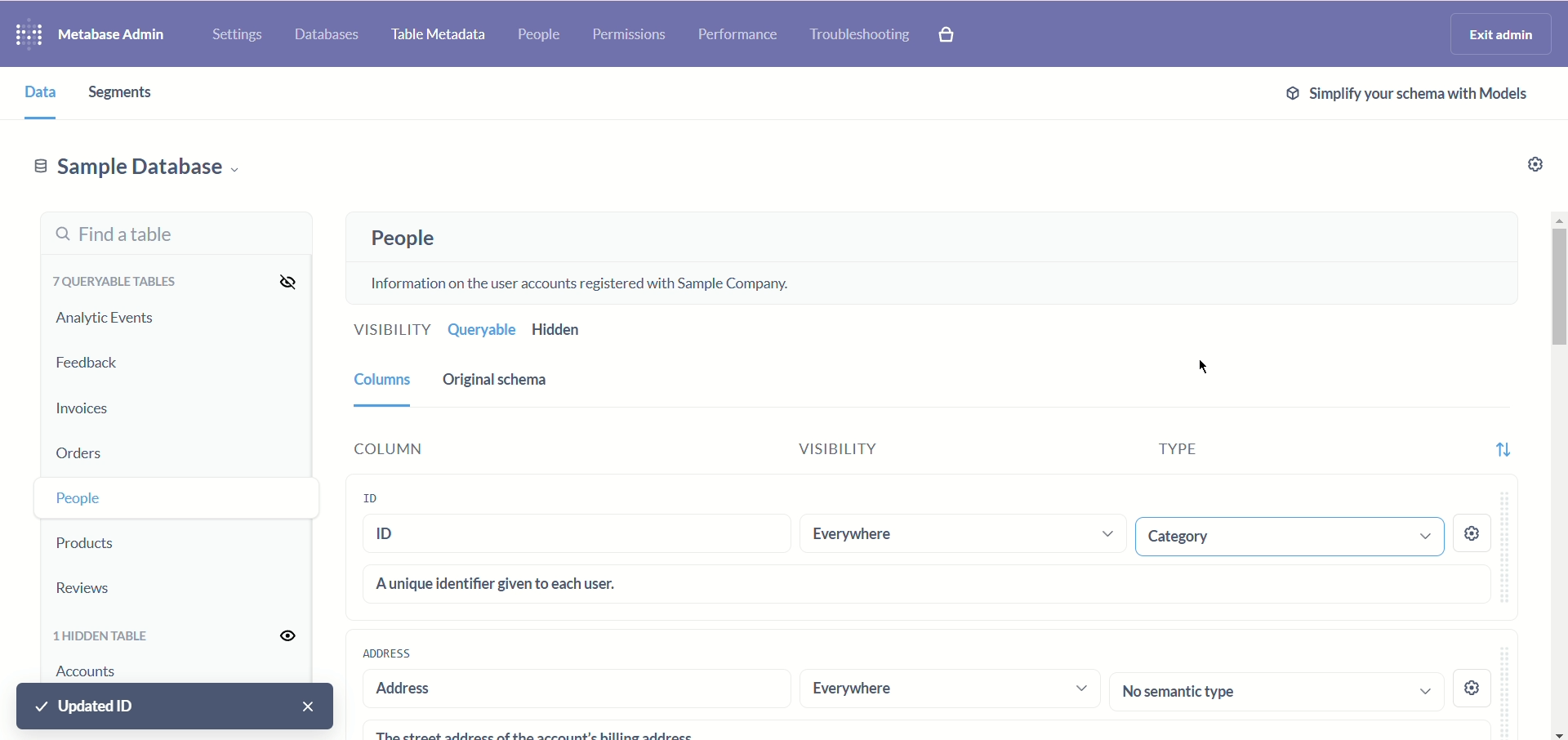 The image size is (1568, 740). I want to click on 1 hidden table, so click(106, 637).